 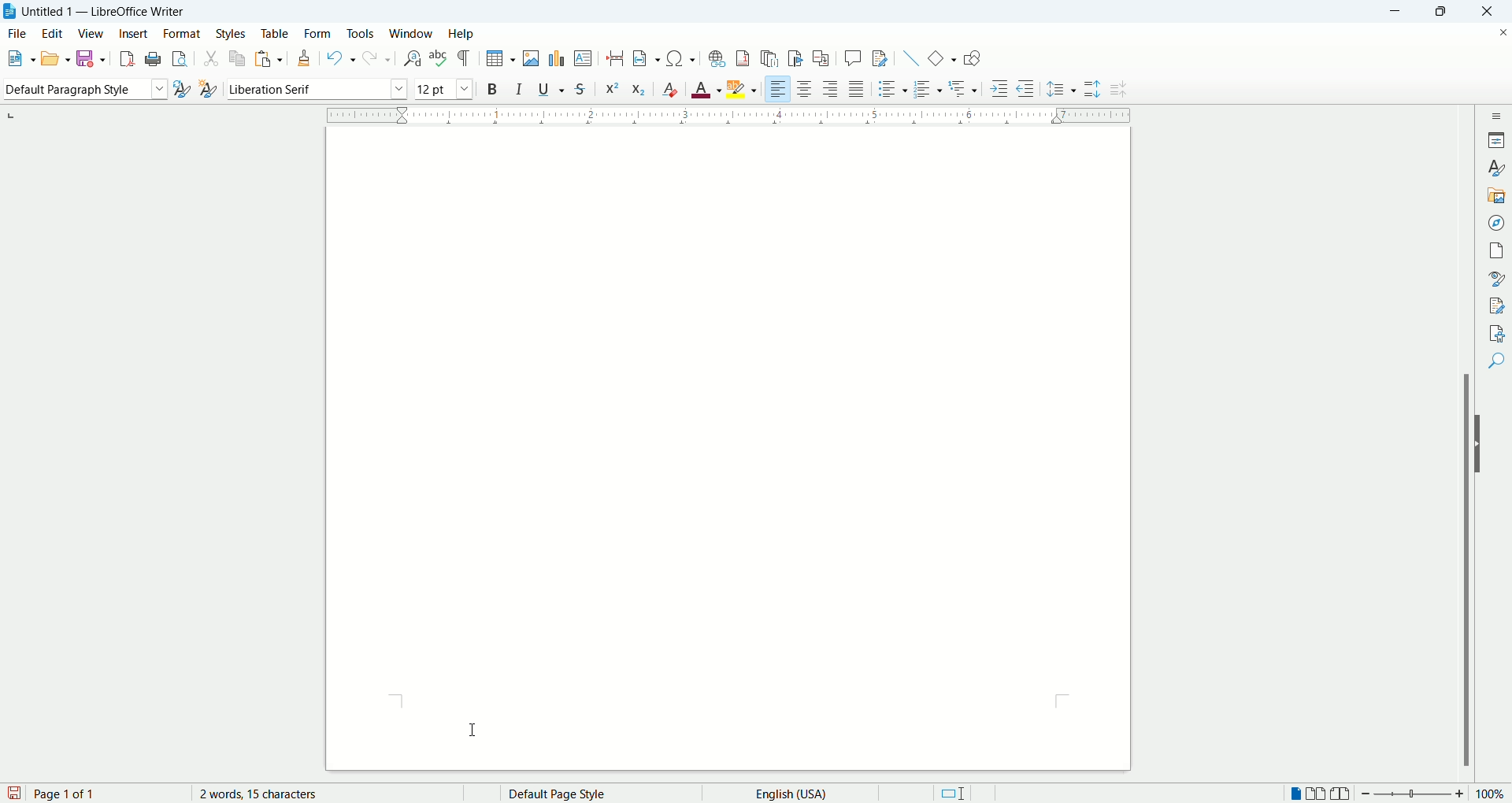 What do you see at coordinates (730, 449) in the screenshot?
I see `main page` at bounding box center [730, 449].